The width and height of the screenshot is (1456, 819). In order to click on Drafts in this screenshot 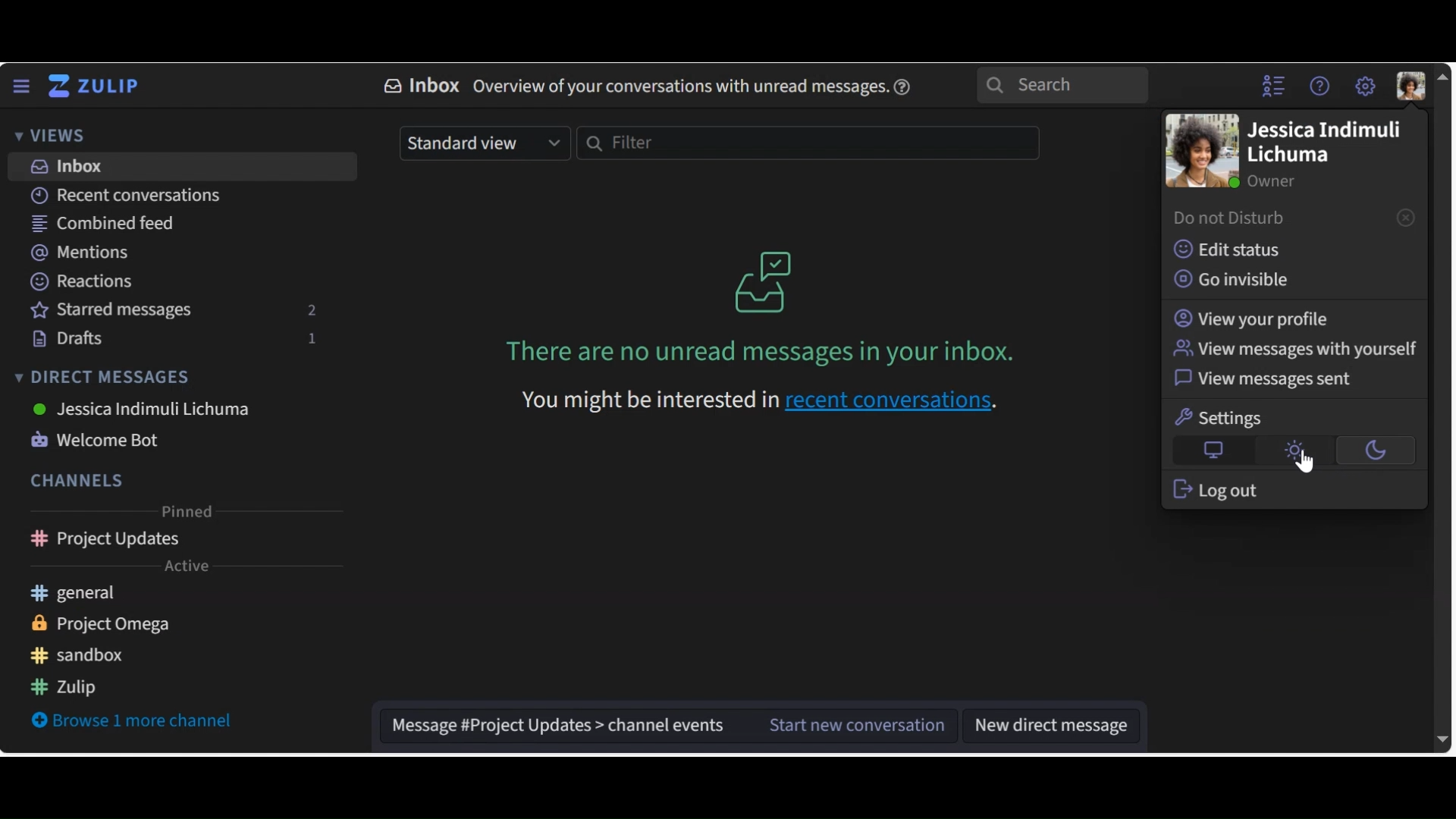, I will do `click(178, 339)`.